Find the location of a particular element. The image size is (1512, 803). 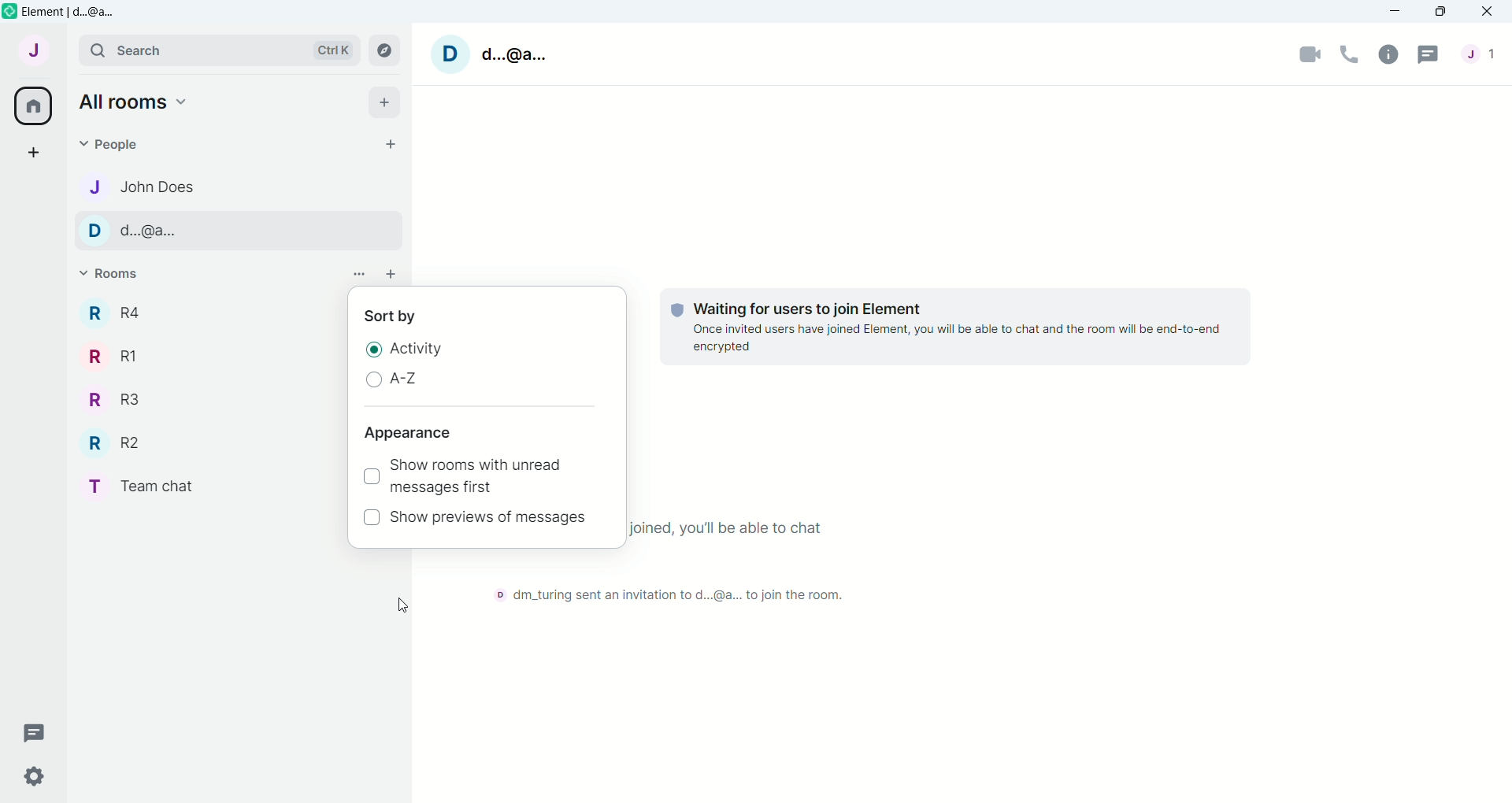

Maximize is located at coordinates (1440, 12).